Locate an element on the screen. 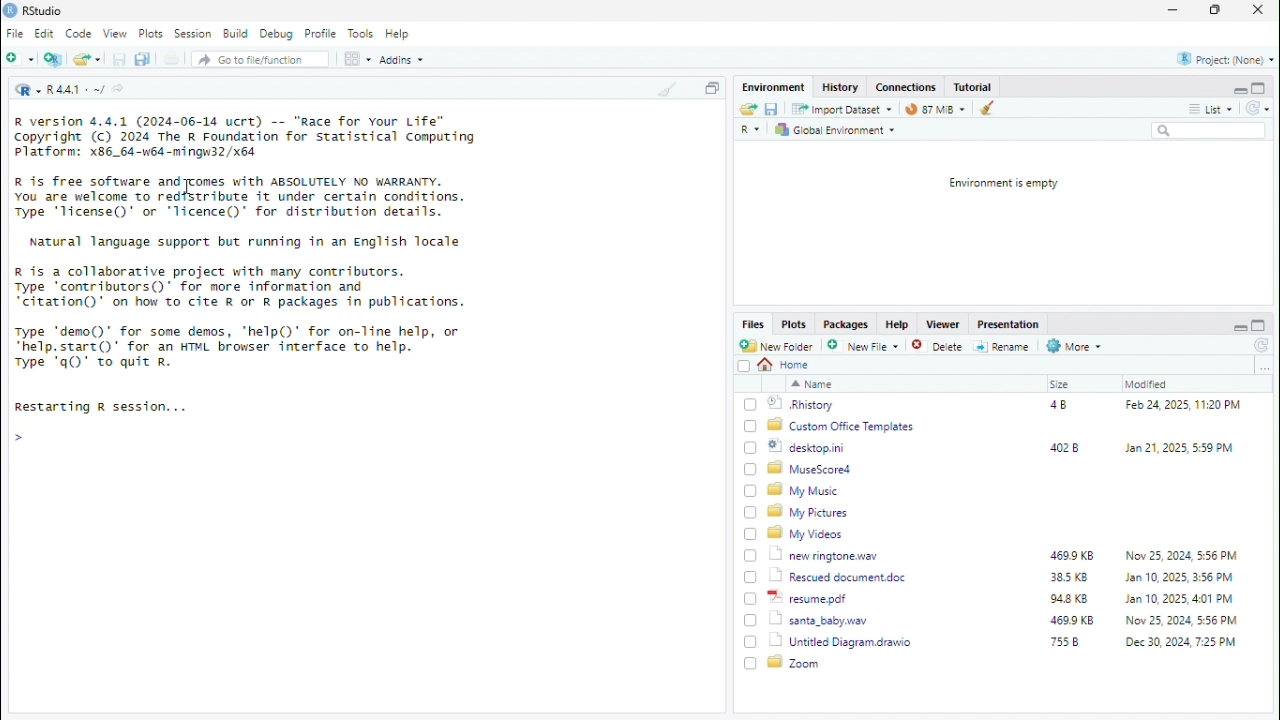  copy is located at coordinates (711, 88).